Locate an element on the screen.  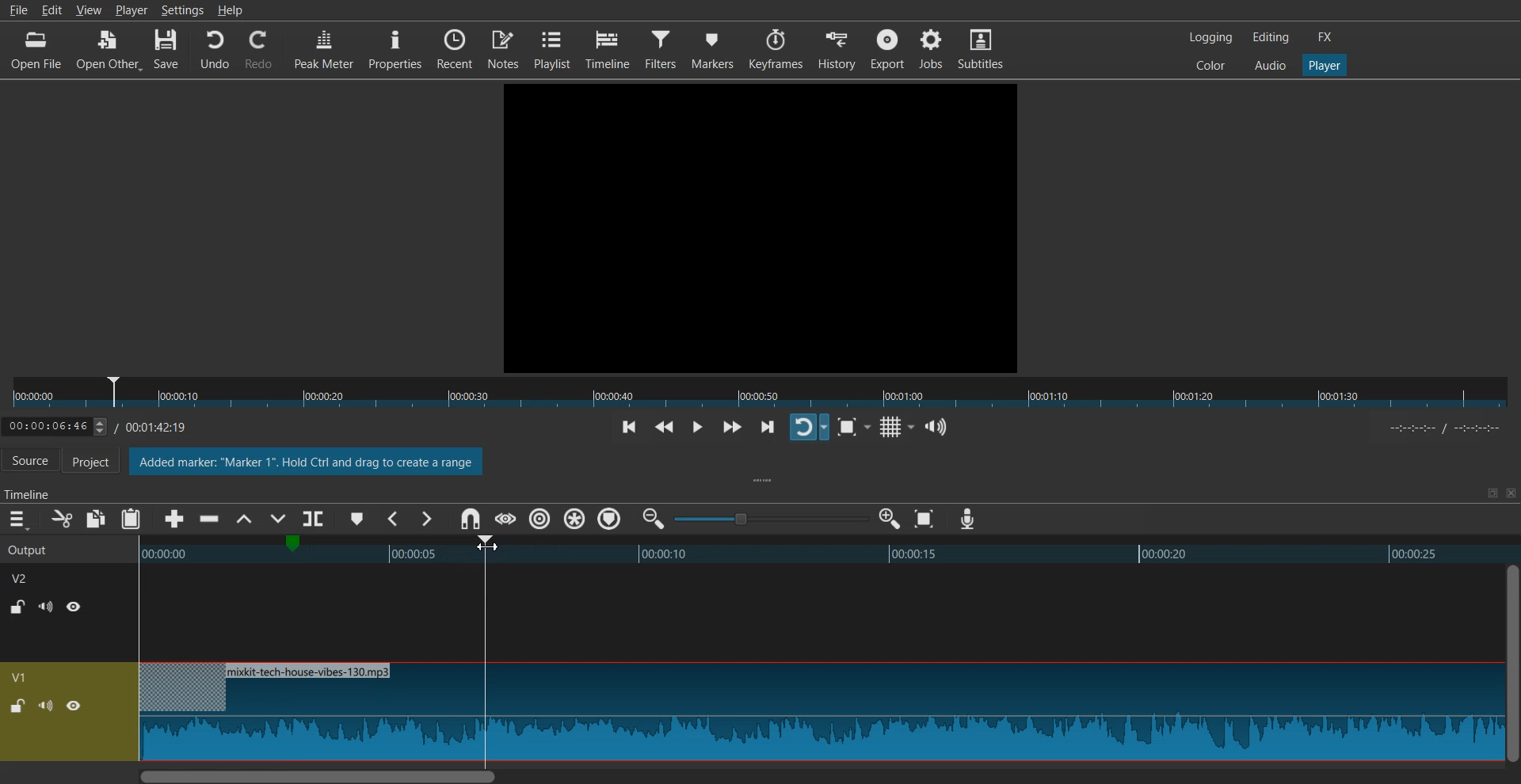
File is located at coordinates (17, 10).